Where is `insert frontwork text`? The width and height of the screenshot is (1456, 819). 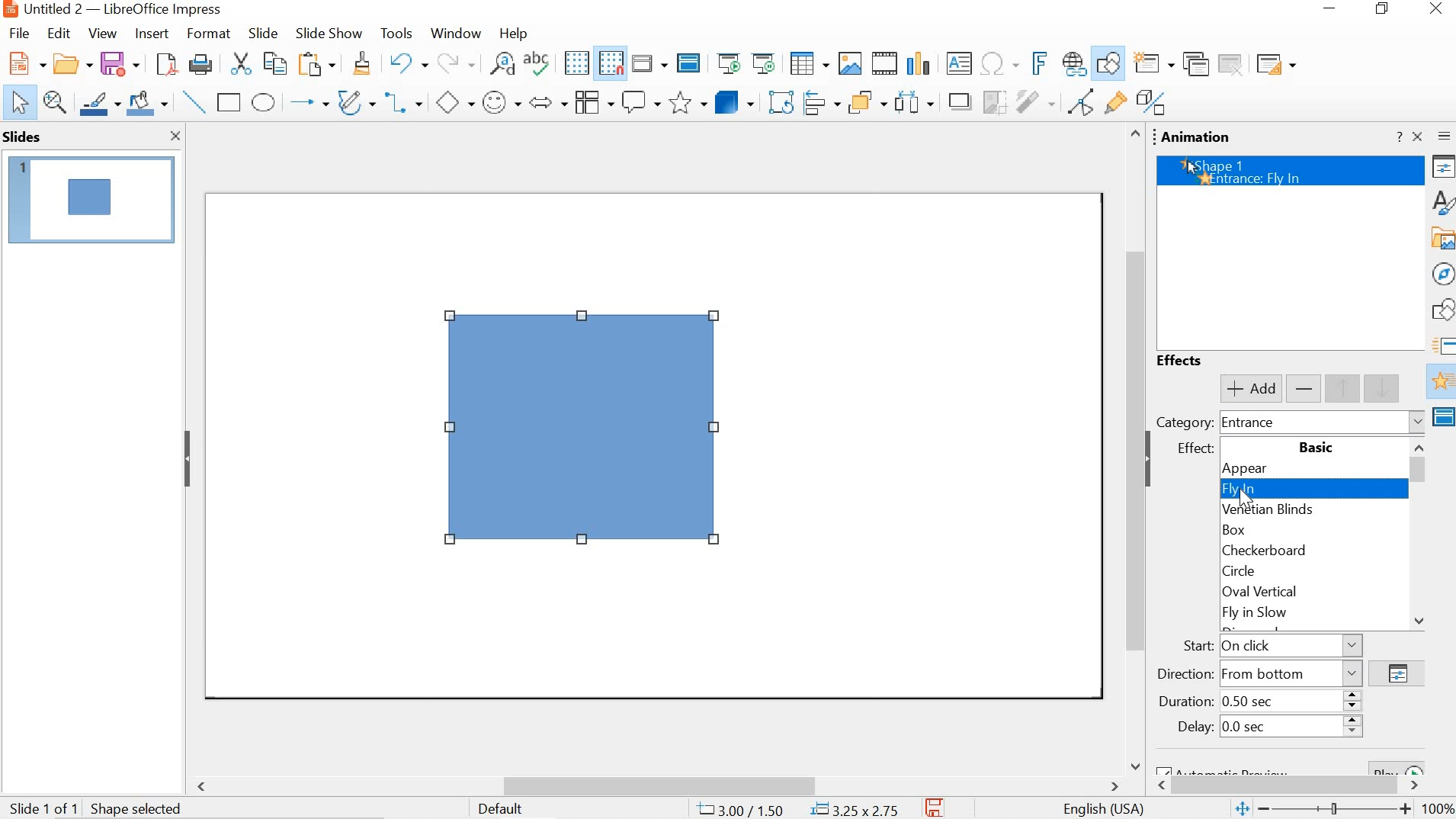
insert frontwork text is located at coordinates (1041, 63).